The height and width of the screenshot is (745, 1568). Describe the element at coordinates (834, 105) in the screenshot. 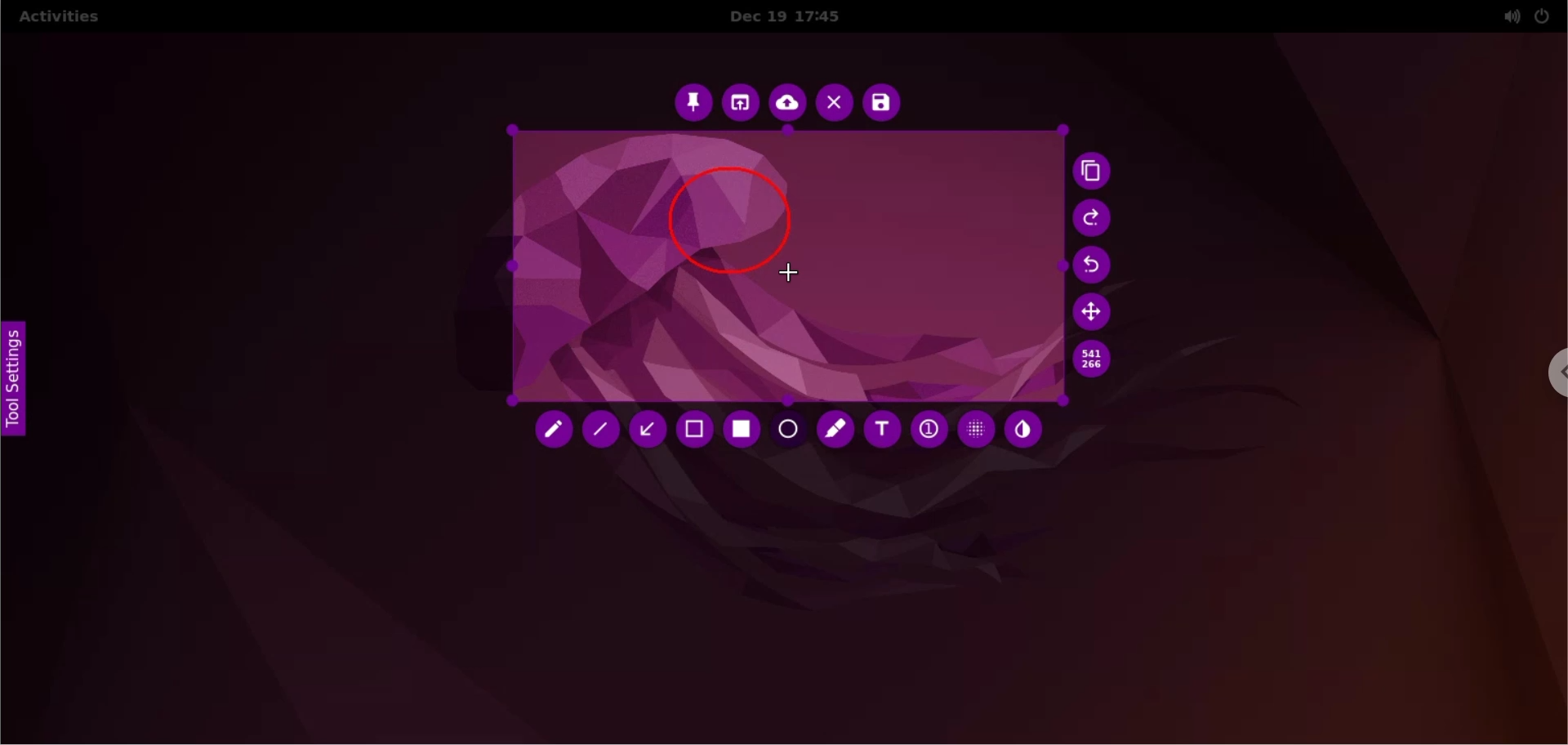

I see `cancel capture` at that location.